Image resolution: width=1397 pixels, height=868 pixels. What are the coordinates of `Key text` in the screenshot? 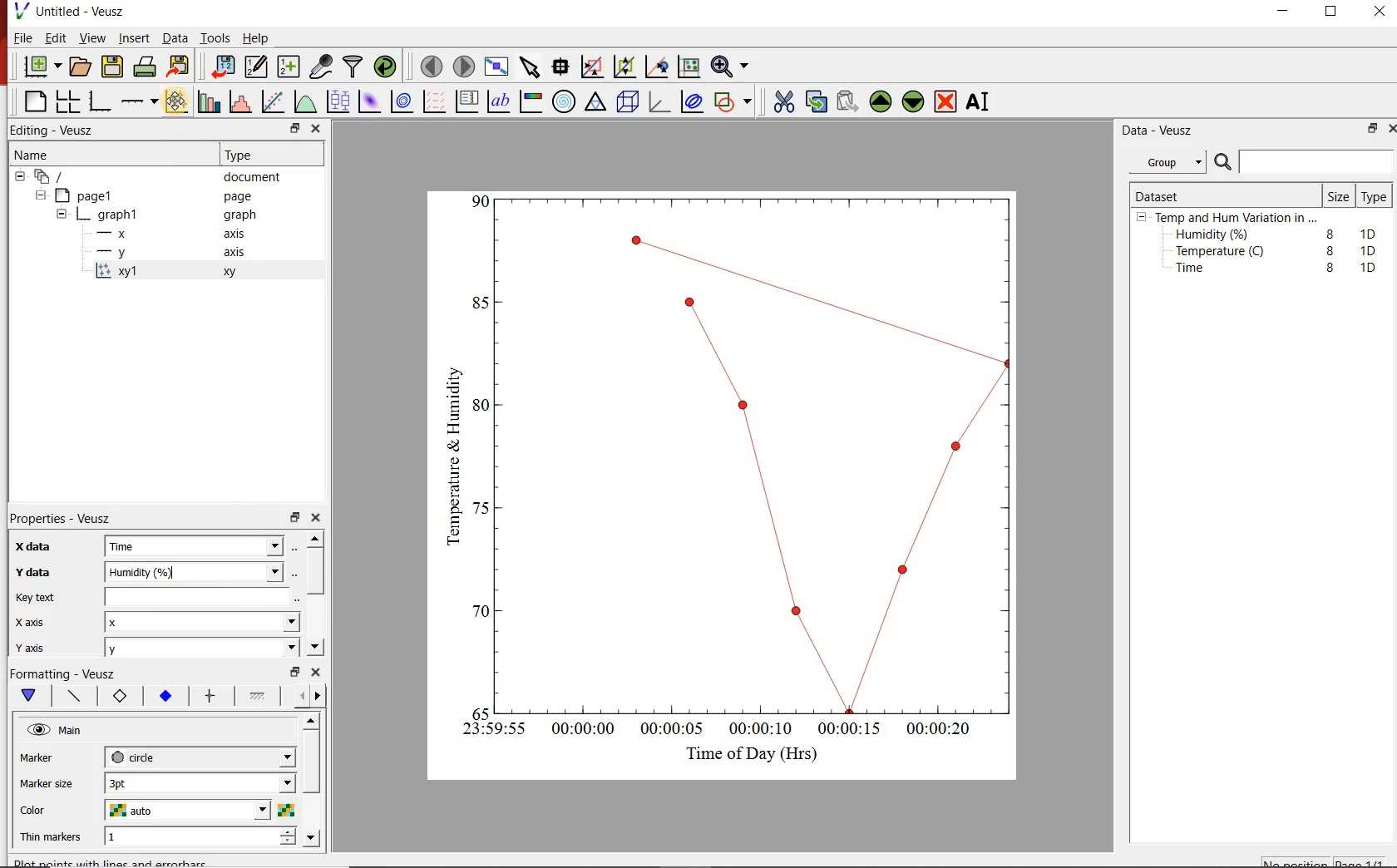 It's located at (144, 599).